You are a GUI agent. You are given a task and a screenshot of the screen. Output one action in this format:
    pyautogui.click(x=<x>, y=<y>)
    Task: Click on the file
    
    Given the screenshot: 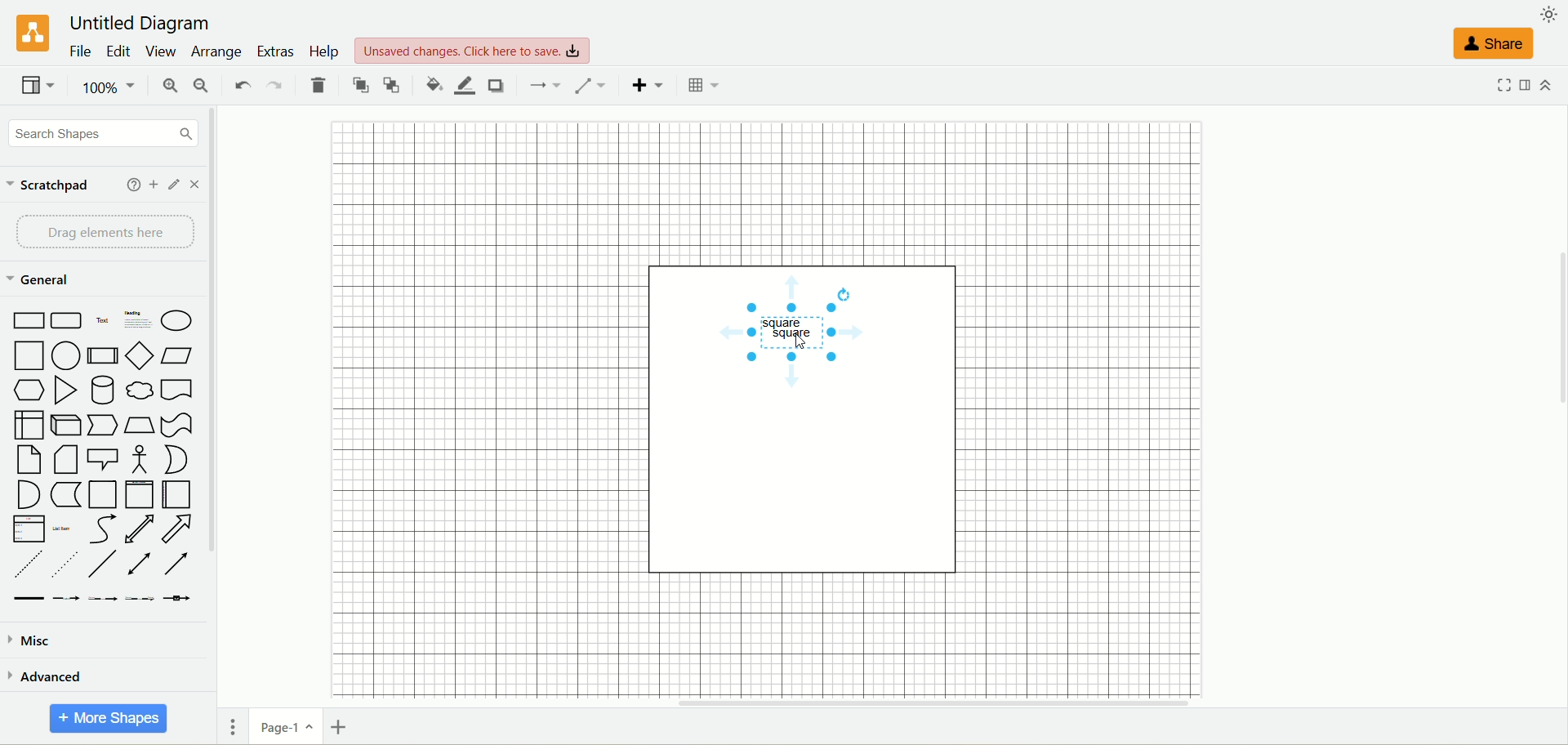 What is the action you would take?
    pyautogui.click(x=82, y=52)
    